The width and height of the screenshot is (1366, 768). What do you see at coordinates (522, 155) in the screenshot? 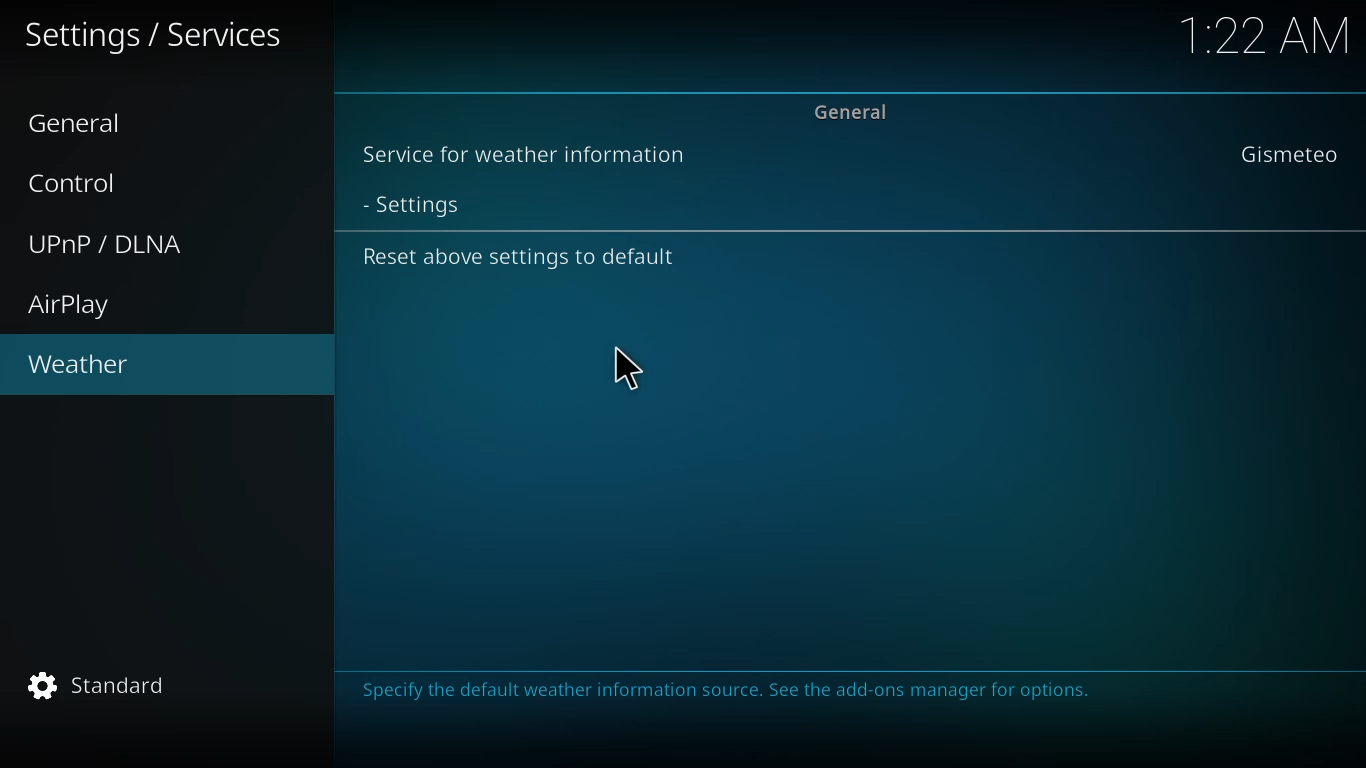
I see `service for weather info` at bounding box center [522, 155].